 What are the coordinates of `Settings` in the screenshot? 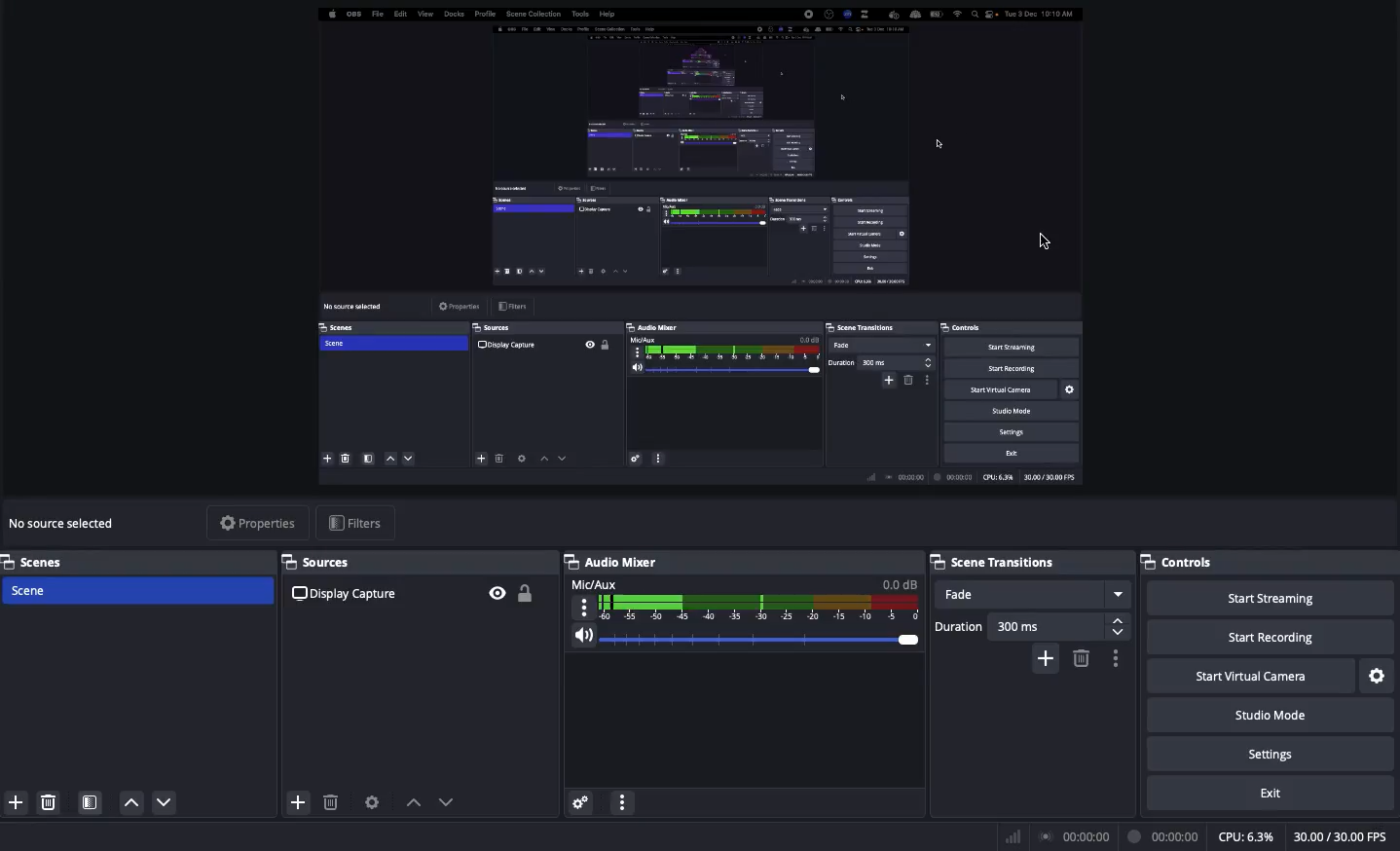 It's located at (1379, 677).